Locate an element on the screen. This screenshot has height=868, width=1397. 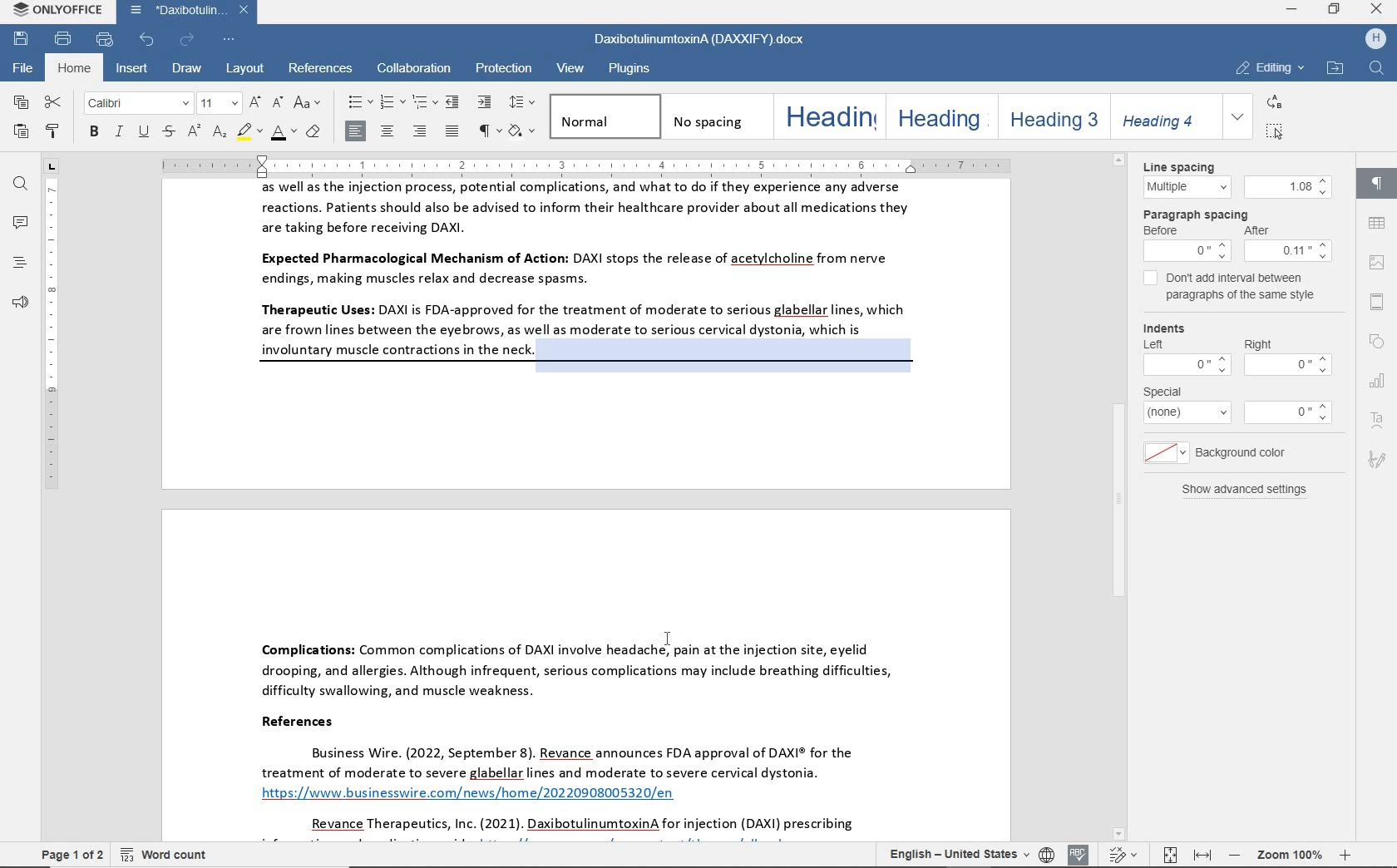
align left is located at coordinates (357, 131).